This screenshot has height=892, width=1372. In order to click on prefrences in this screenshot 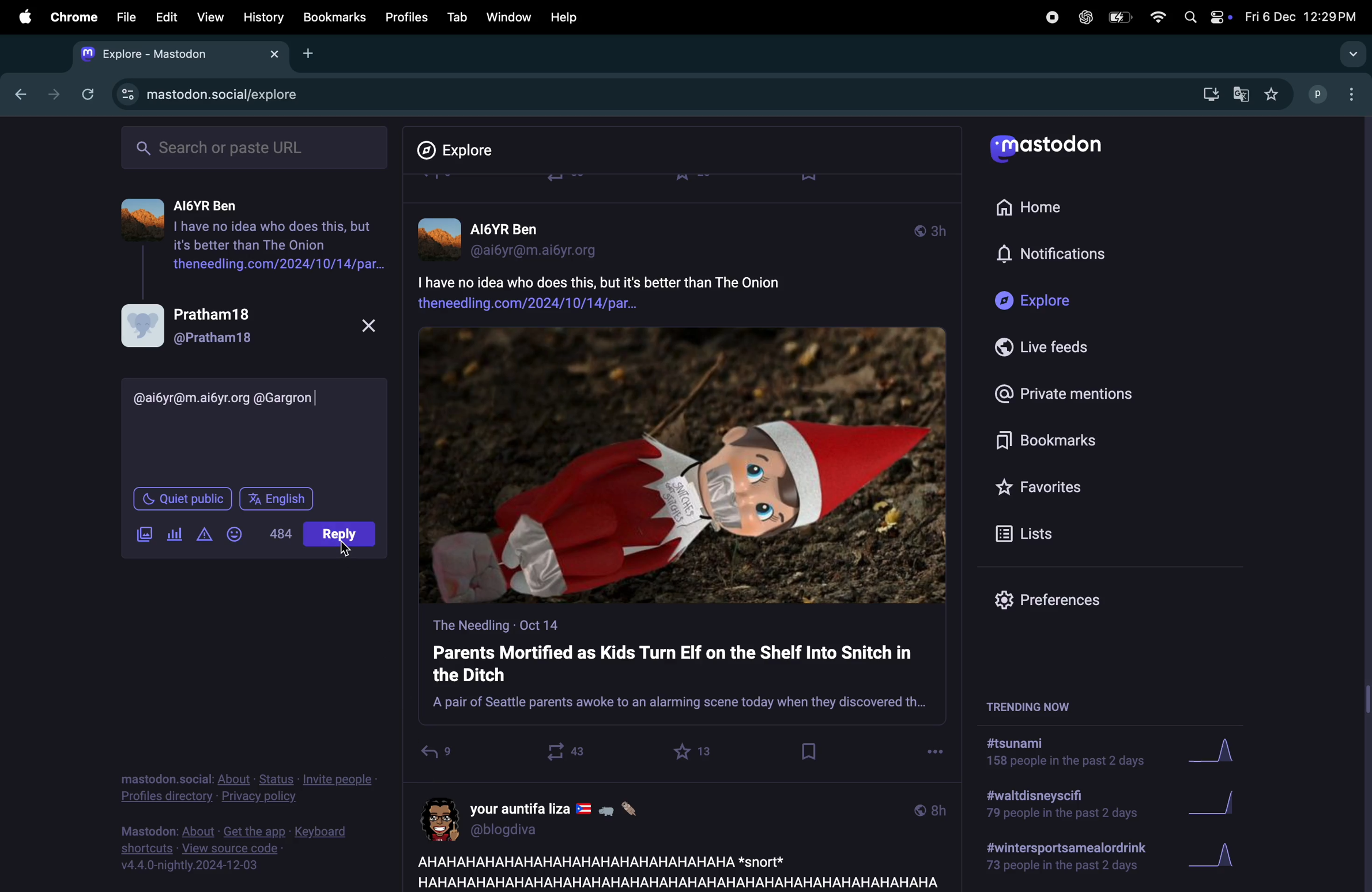, I will do `click(1057, 603)`.